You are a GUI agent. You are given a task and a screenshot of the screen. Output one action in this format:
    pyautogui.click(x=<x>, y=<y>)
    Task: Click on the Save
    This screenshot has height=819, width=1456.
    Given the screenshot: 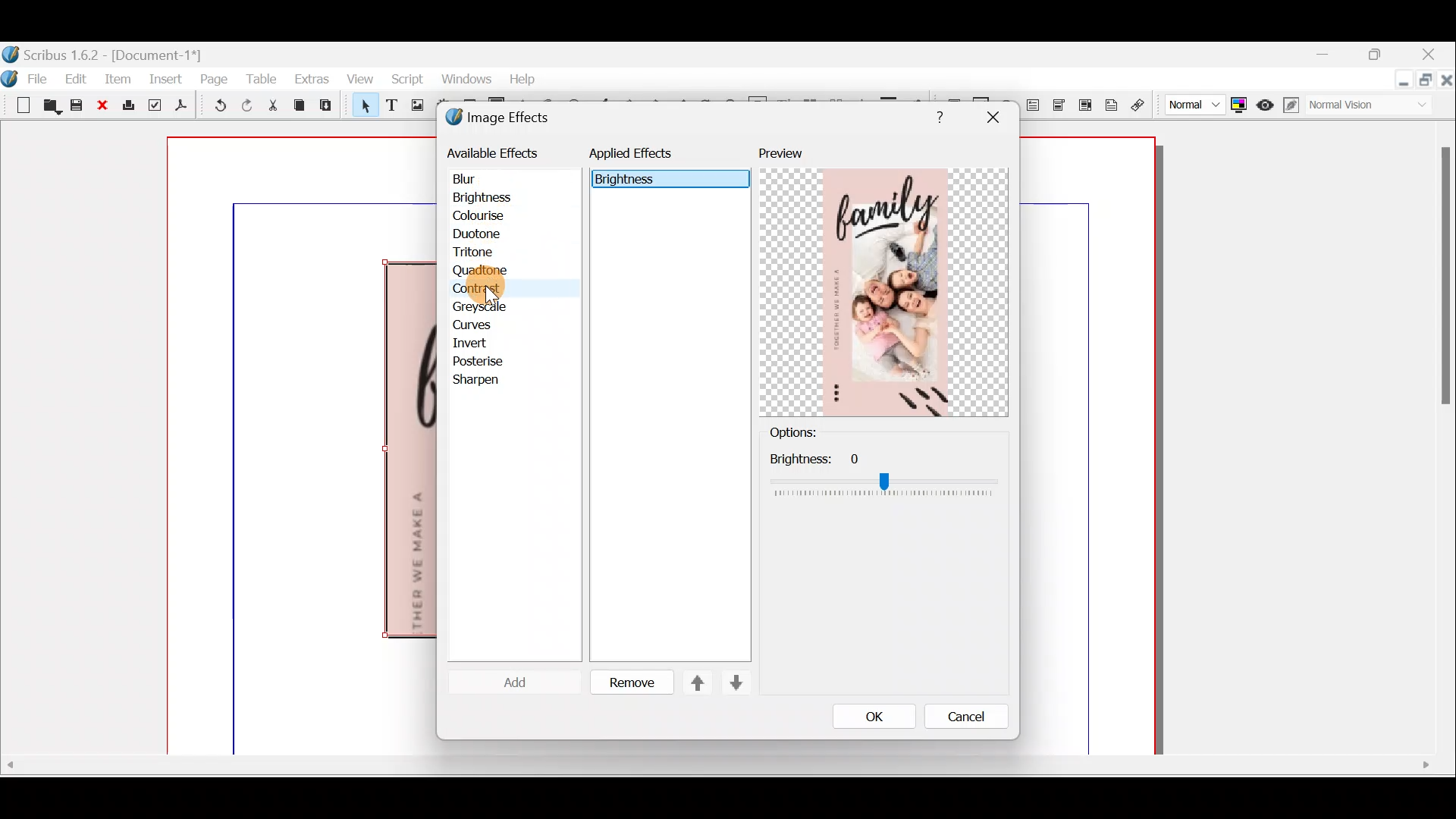 What is the action you would take?
    pyautogui.click(x=79, y=107)
    